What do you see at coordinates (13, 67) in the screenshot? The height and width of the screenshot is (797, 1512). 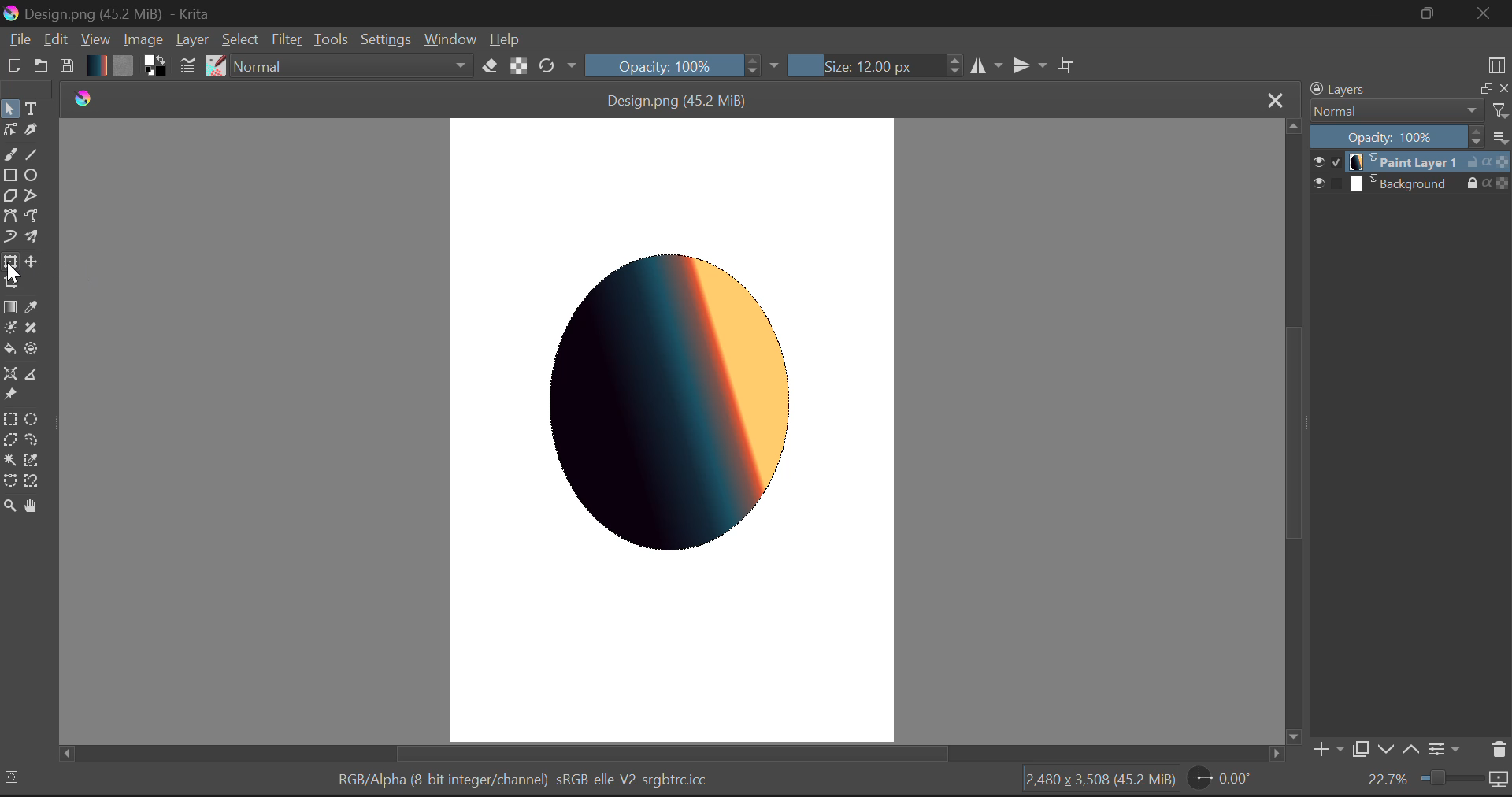 I see `New` at bounding box center [13, 67].